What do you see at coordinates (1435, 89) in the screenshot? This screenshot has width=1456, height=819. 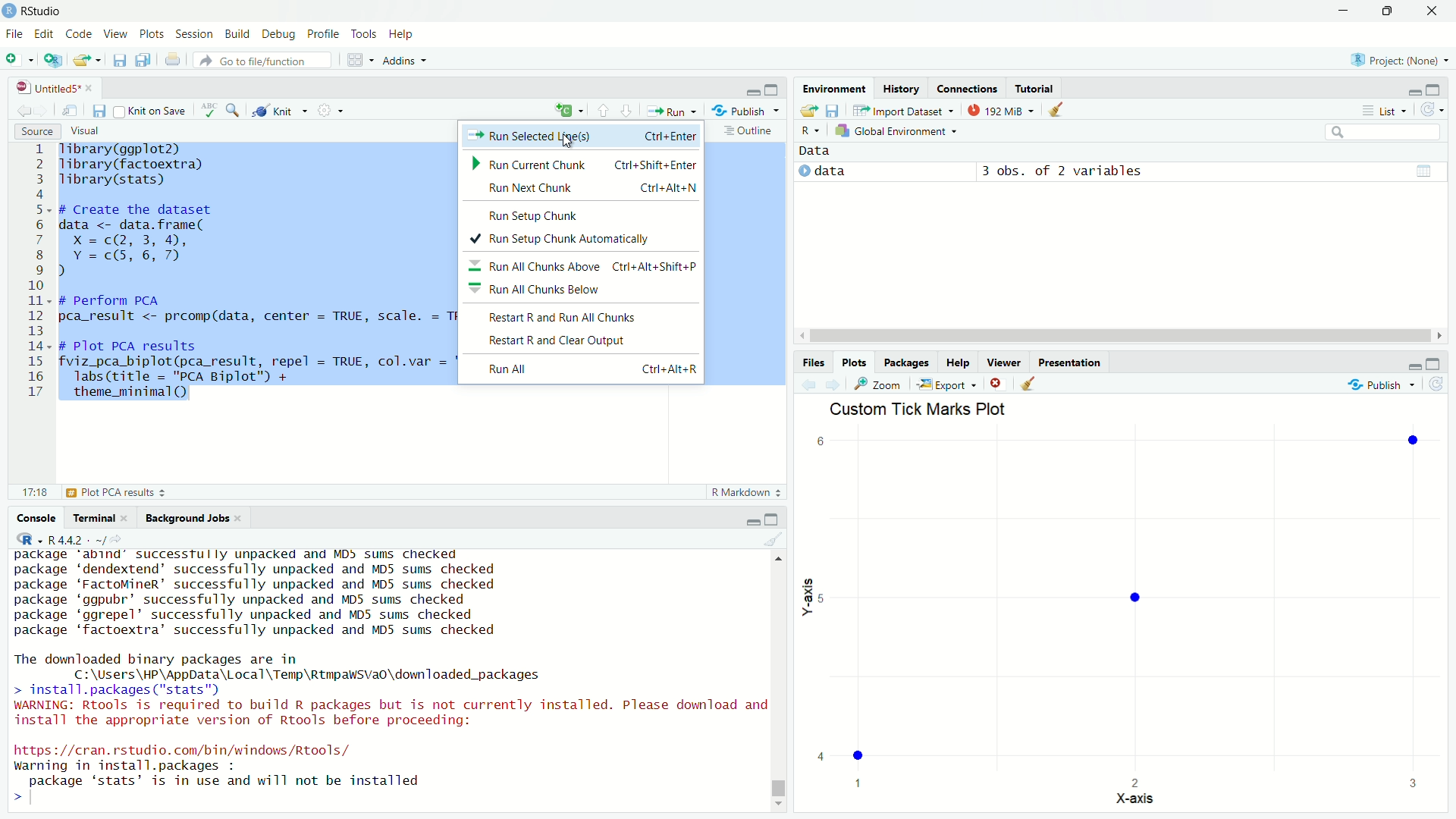 I see `maximize` at bounding box center [1435, 89].